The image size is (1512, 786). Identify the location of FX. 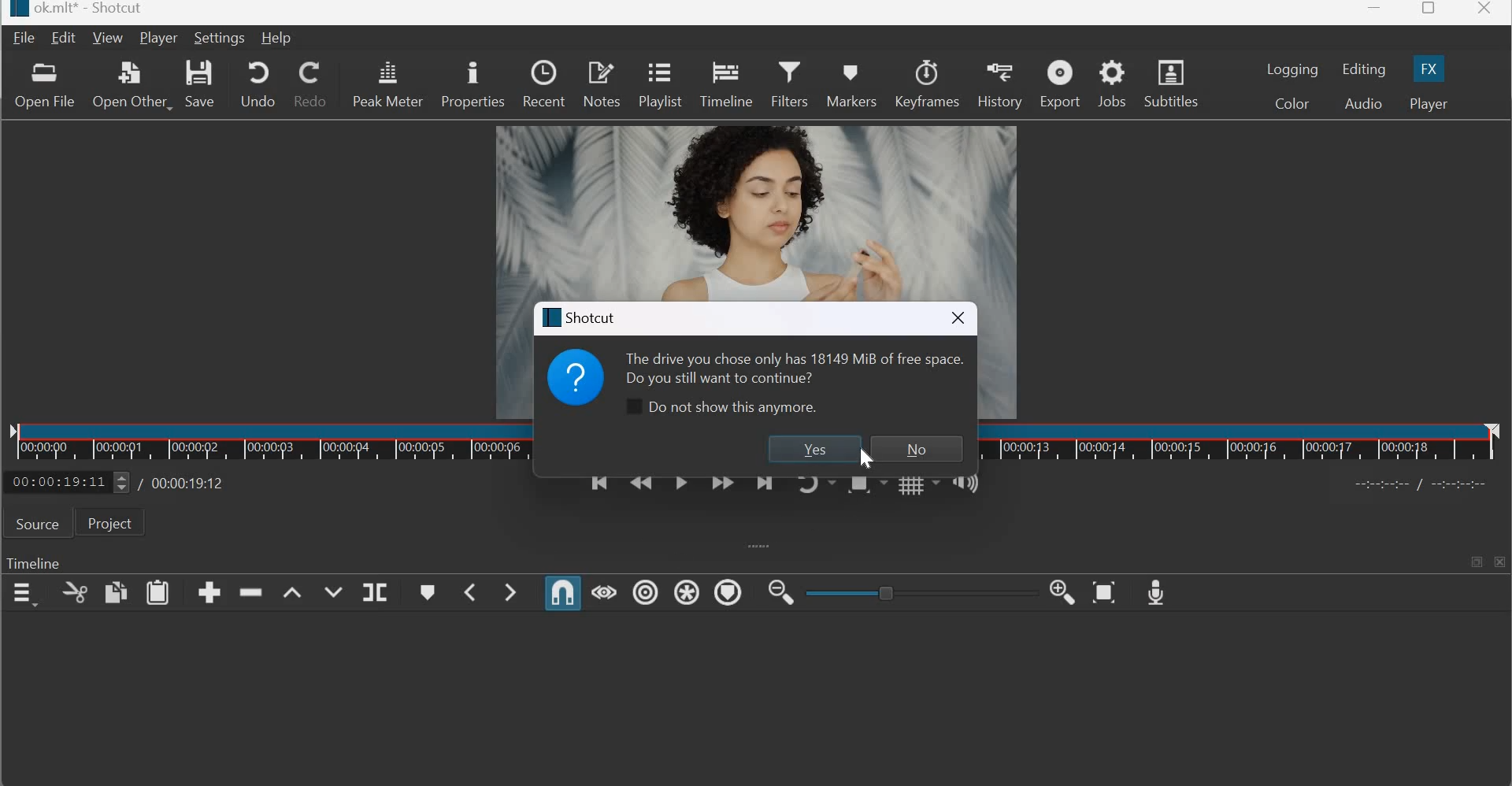
(1429, 68).